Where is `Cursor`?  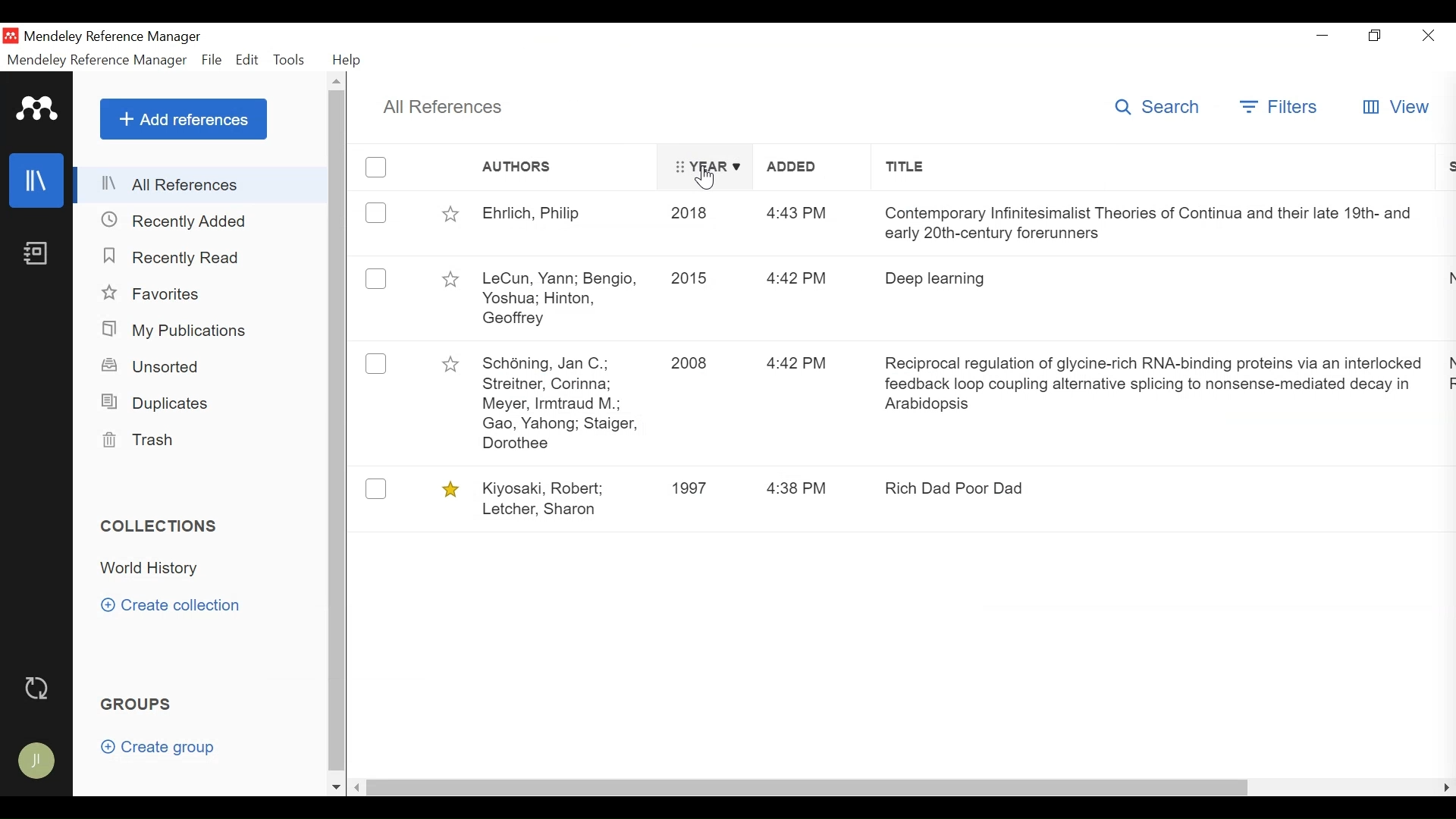 Cursor is located at coordinates (702, 178).